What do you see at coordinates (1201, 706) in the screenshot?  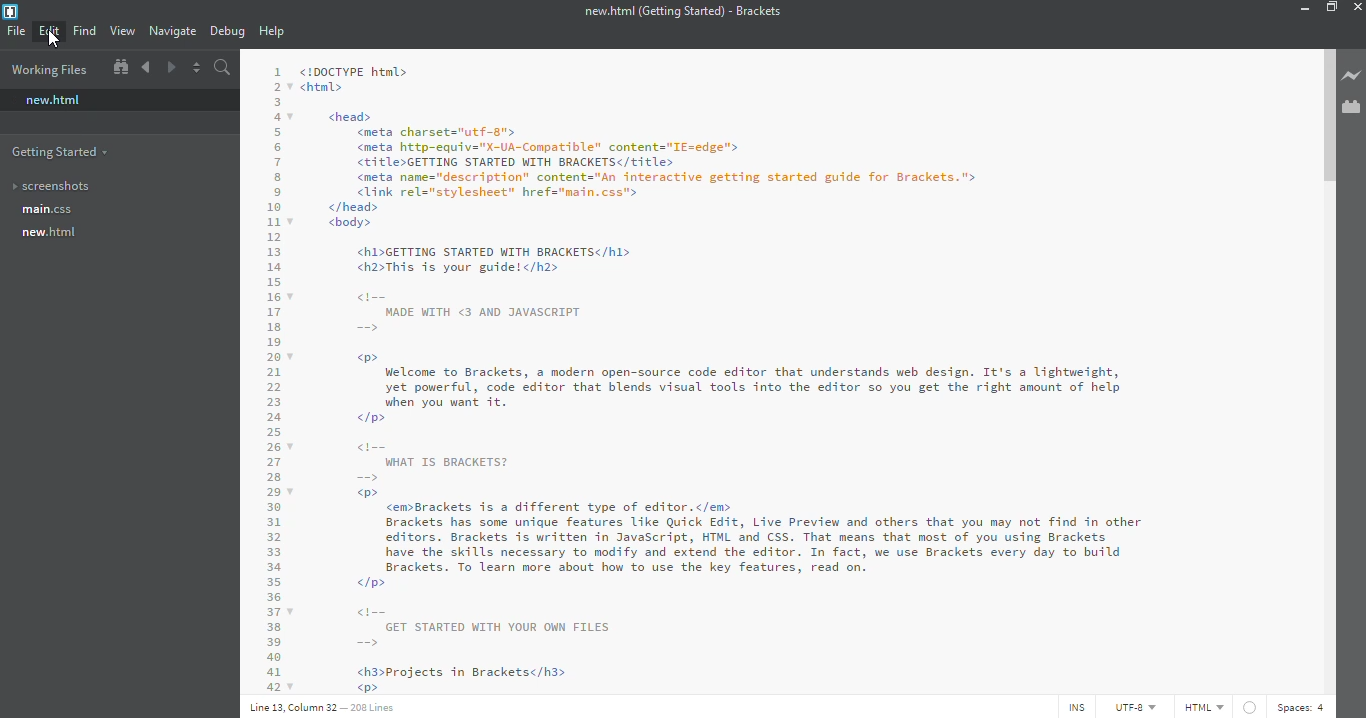 I see `html` at bounding box center [1201, 706].